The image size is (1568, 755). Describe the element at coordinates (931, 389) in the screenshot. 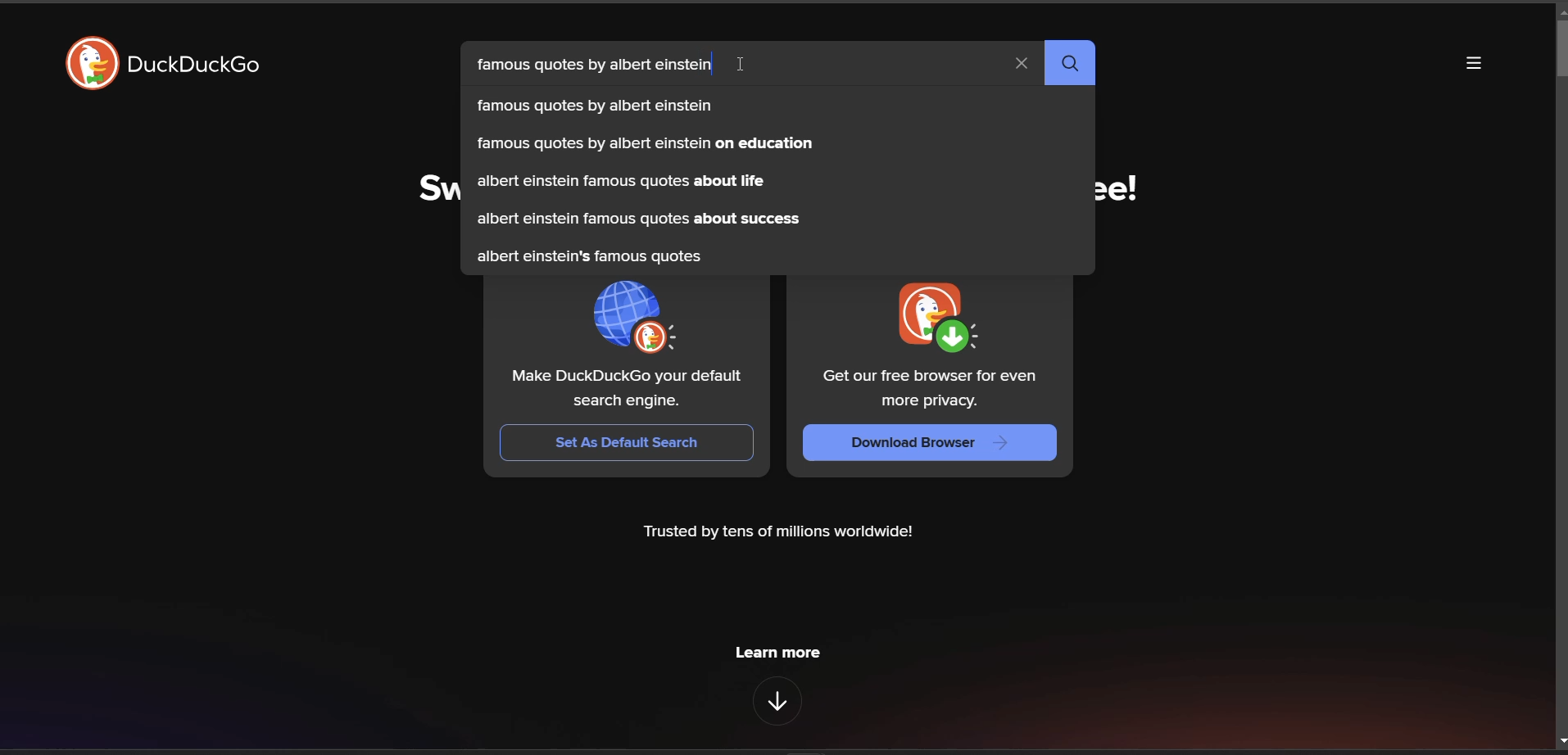

I see `Get our free browser for even more privacy.` at that location.